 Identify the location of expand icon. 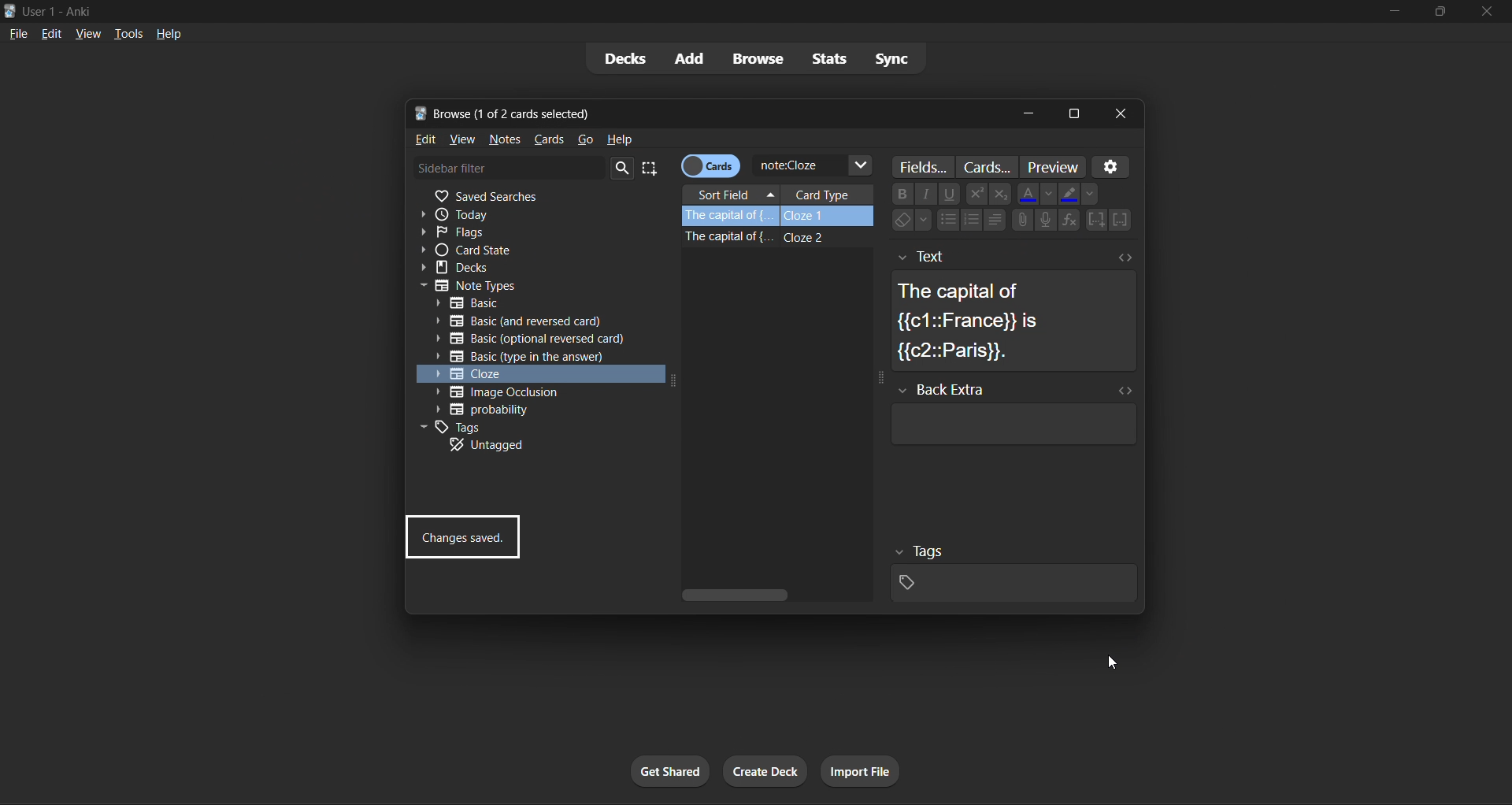
(671, 384).